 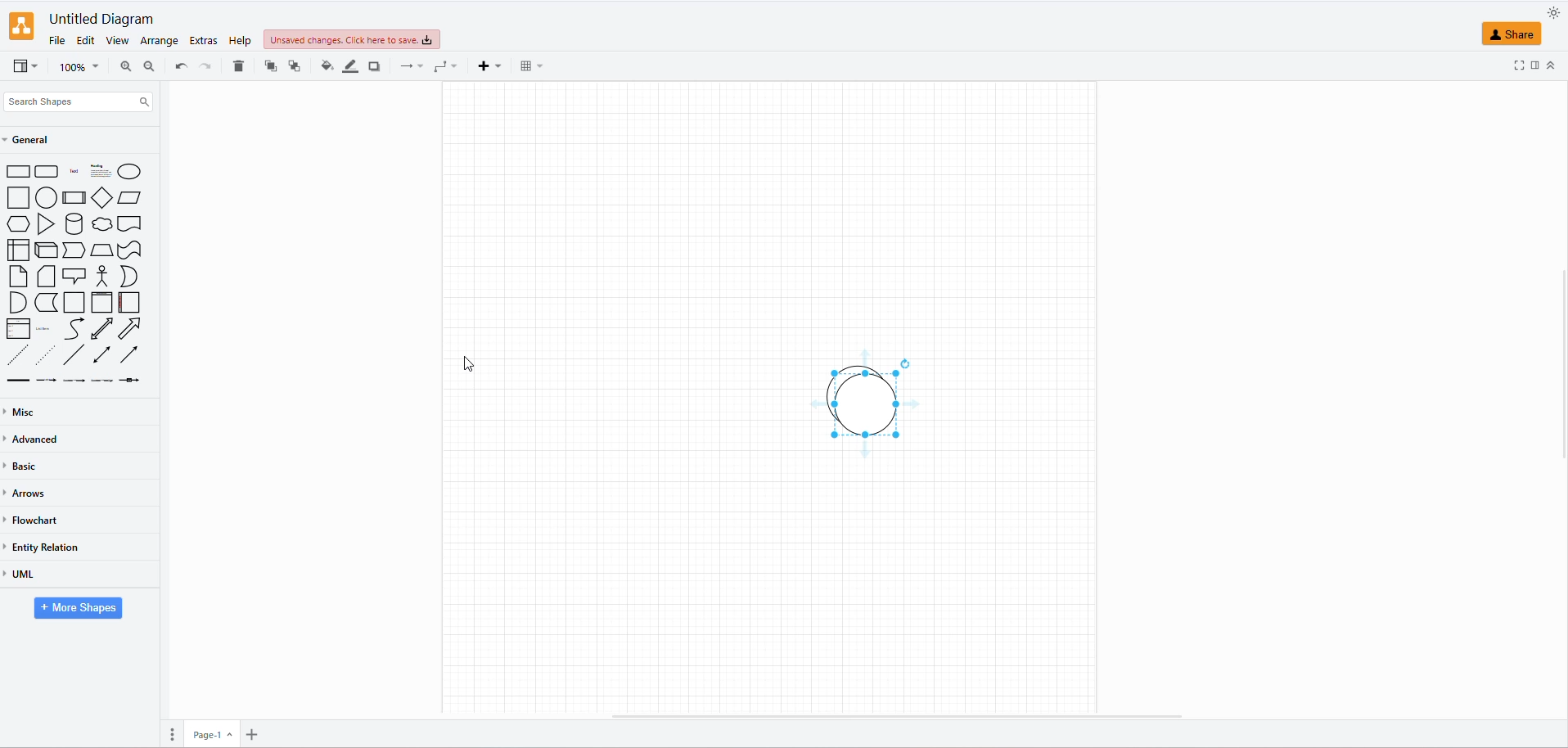 What do you see at coordinates (408, 69) in the screenshot?
I see `CONNECTION` at bounding box center [408, 69].